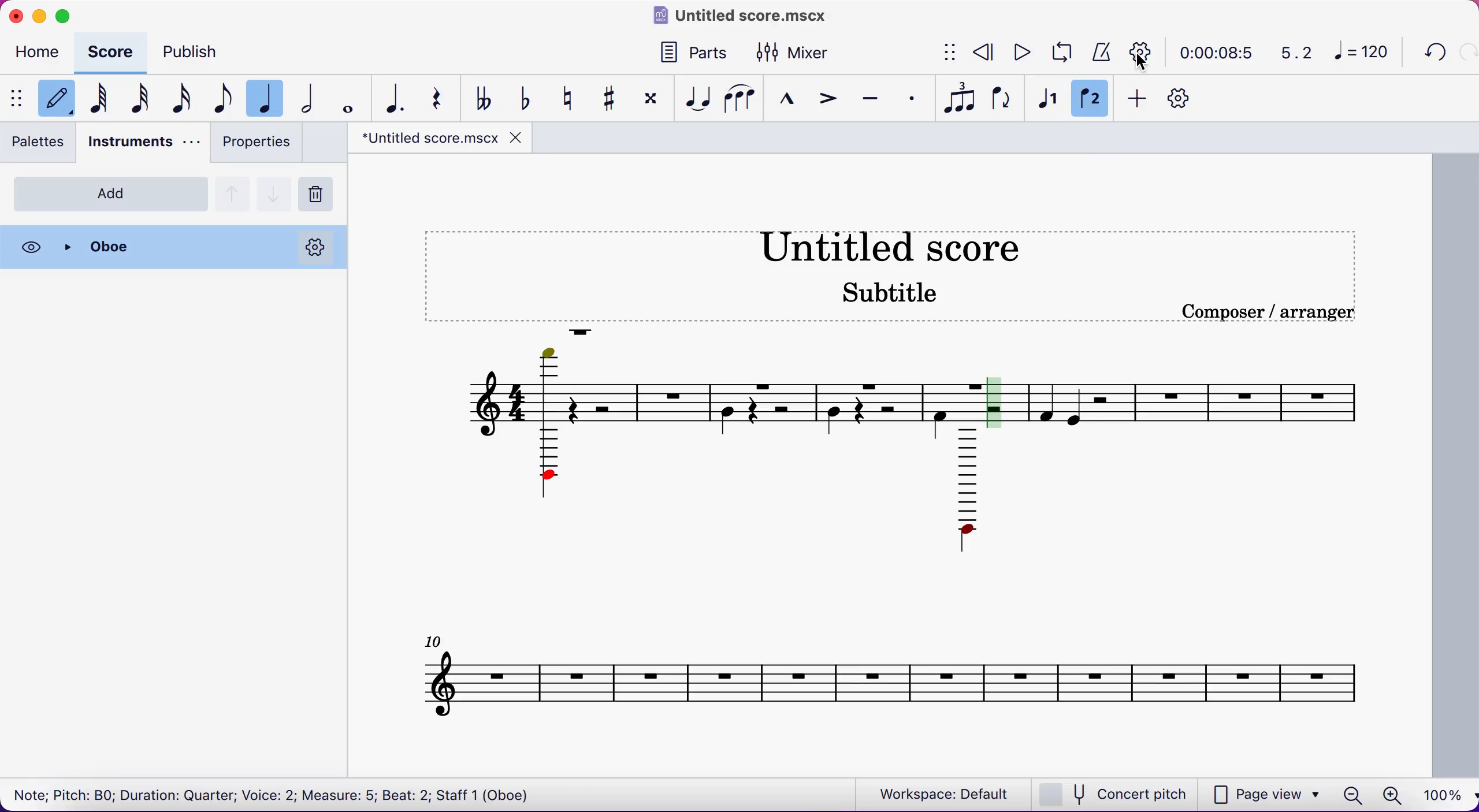 This screenshot has height=812, width=1479. I want to click on go down, so click(274, 191).